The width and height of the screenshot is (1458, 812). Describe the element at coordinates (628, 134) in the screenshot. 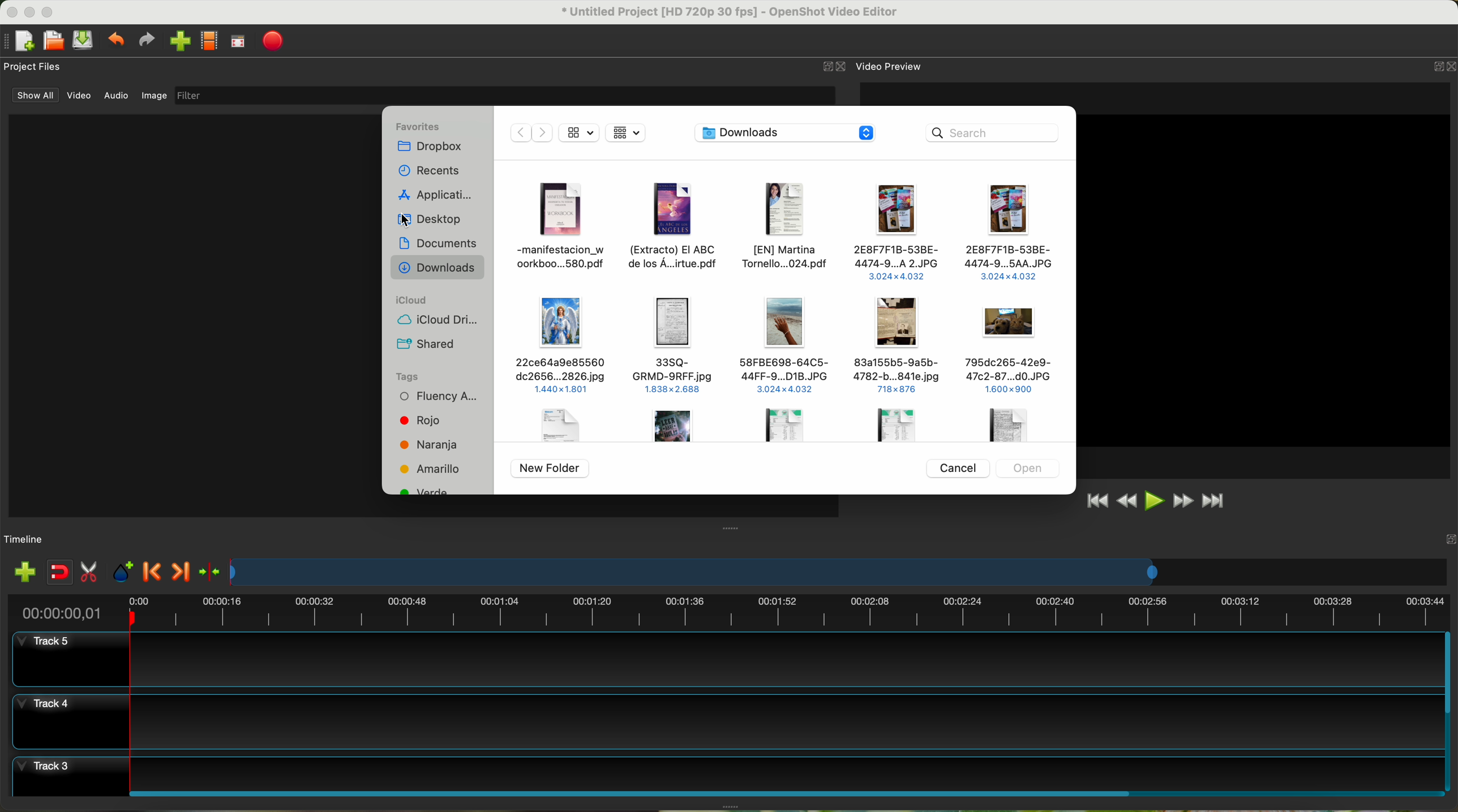

I see `grid view` at that location.